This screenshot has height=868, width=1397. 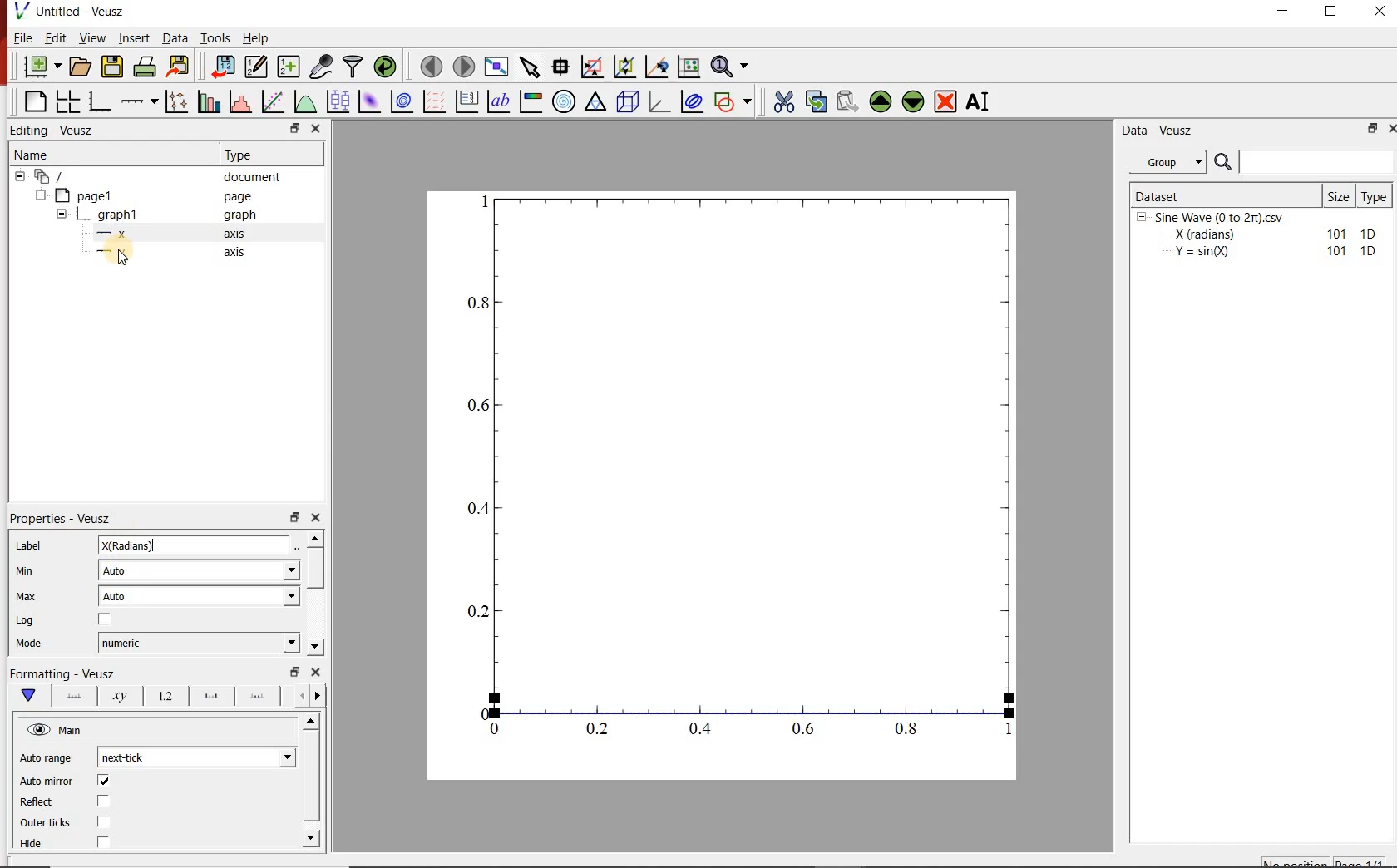 What do you see at coordinates (235, 233) in the screenshot?
I see `axis` at bounding box center [235, 233].